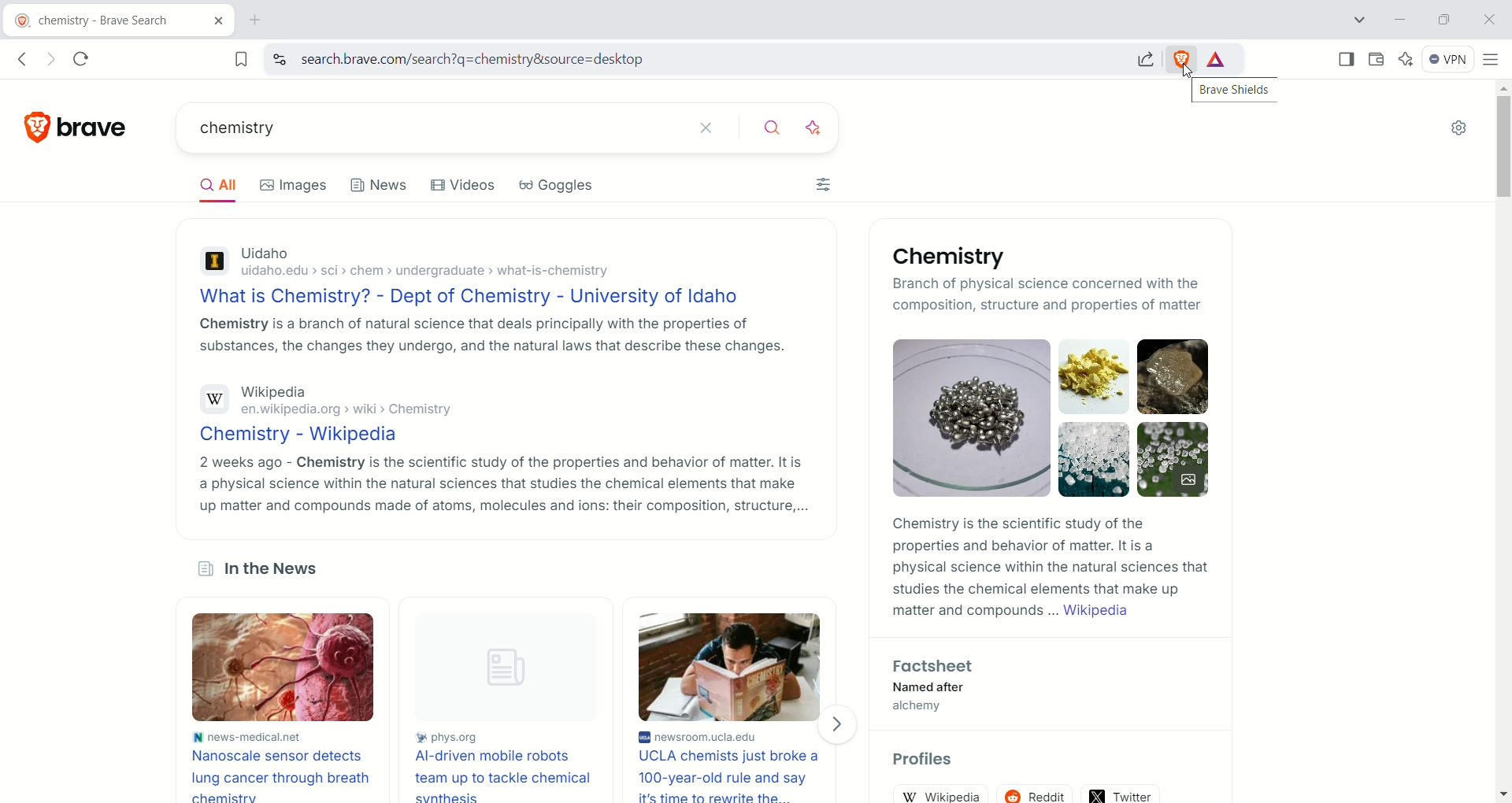  I want to click on search, so click(773, 130).